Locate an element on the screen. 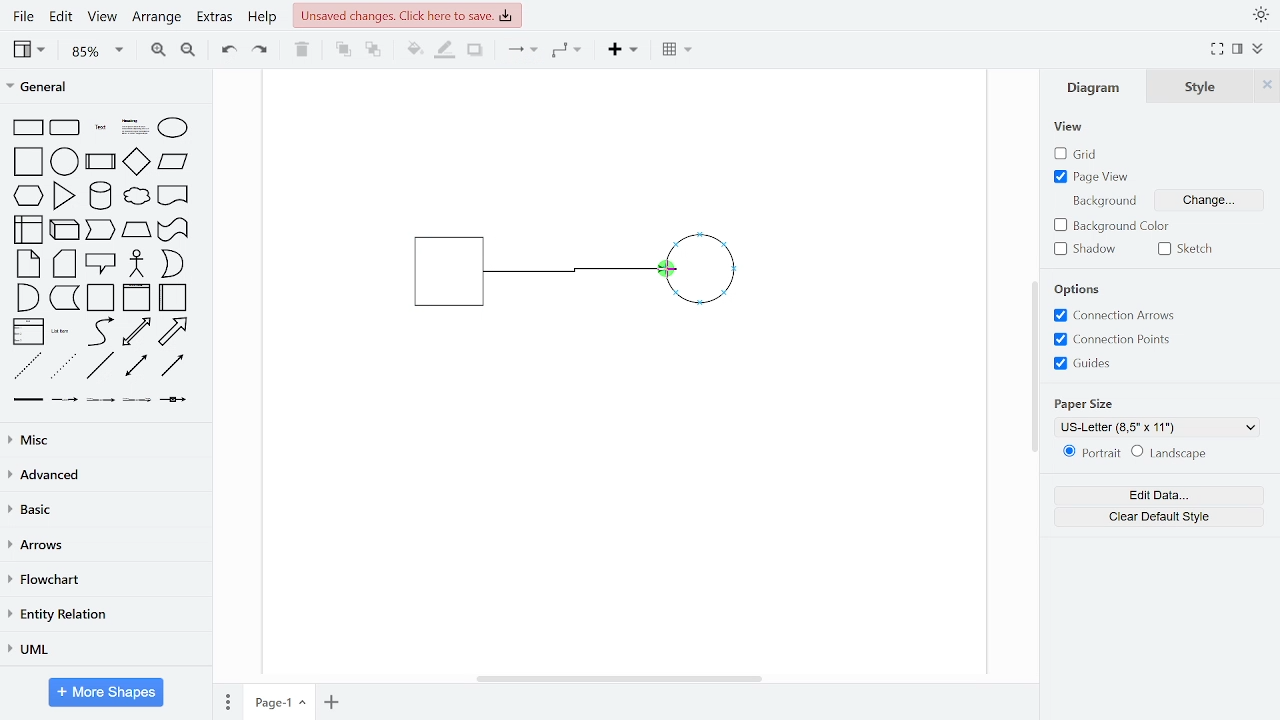  line is located at coordinates (100, 366).